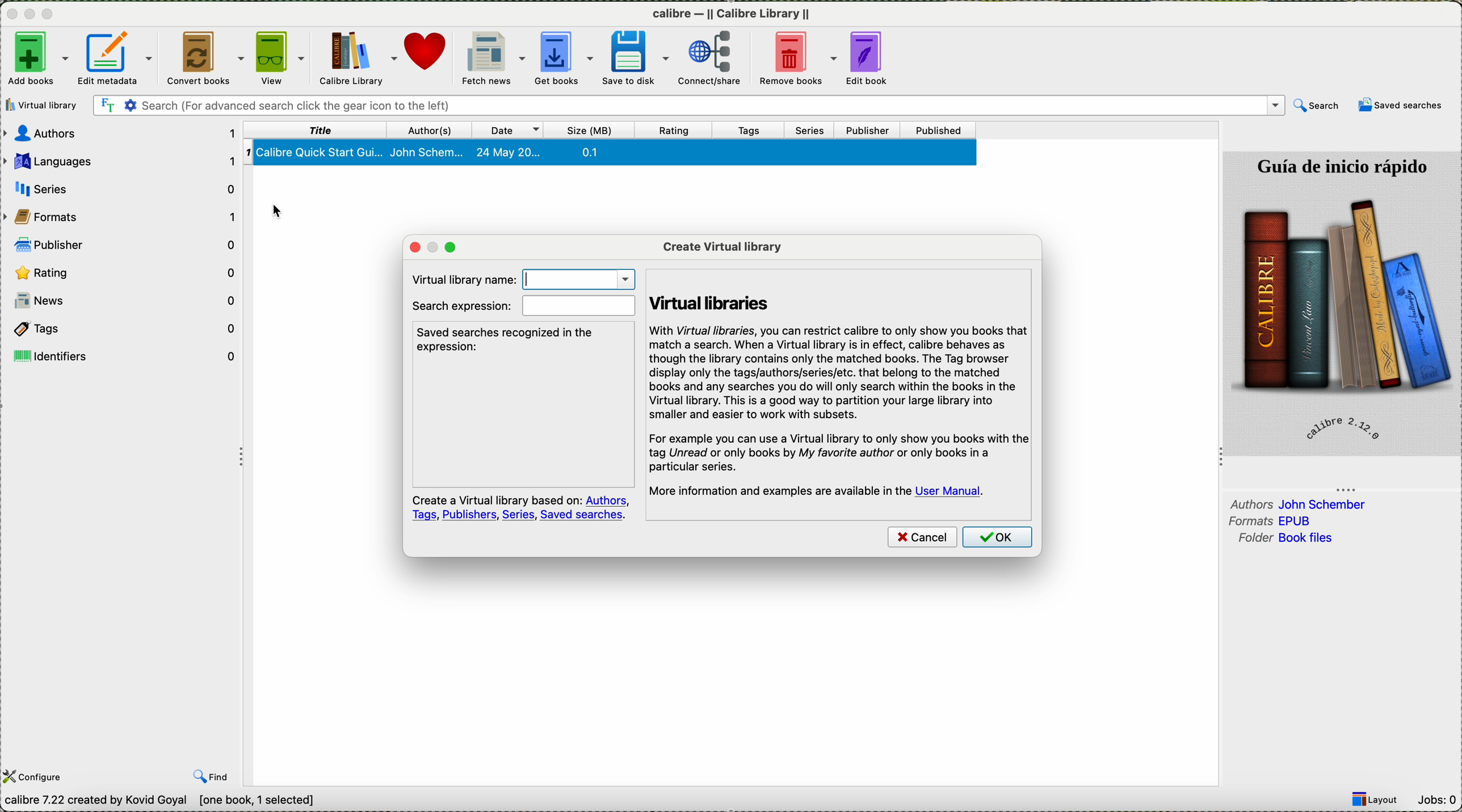 The height and width of the screenshot is (812, 1462). I want to click on Callibre 7.22 created by Kavid Goyal [one book,1 selected], so click(160, 801).